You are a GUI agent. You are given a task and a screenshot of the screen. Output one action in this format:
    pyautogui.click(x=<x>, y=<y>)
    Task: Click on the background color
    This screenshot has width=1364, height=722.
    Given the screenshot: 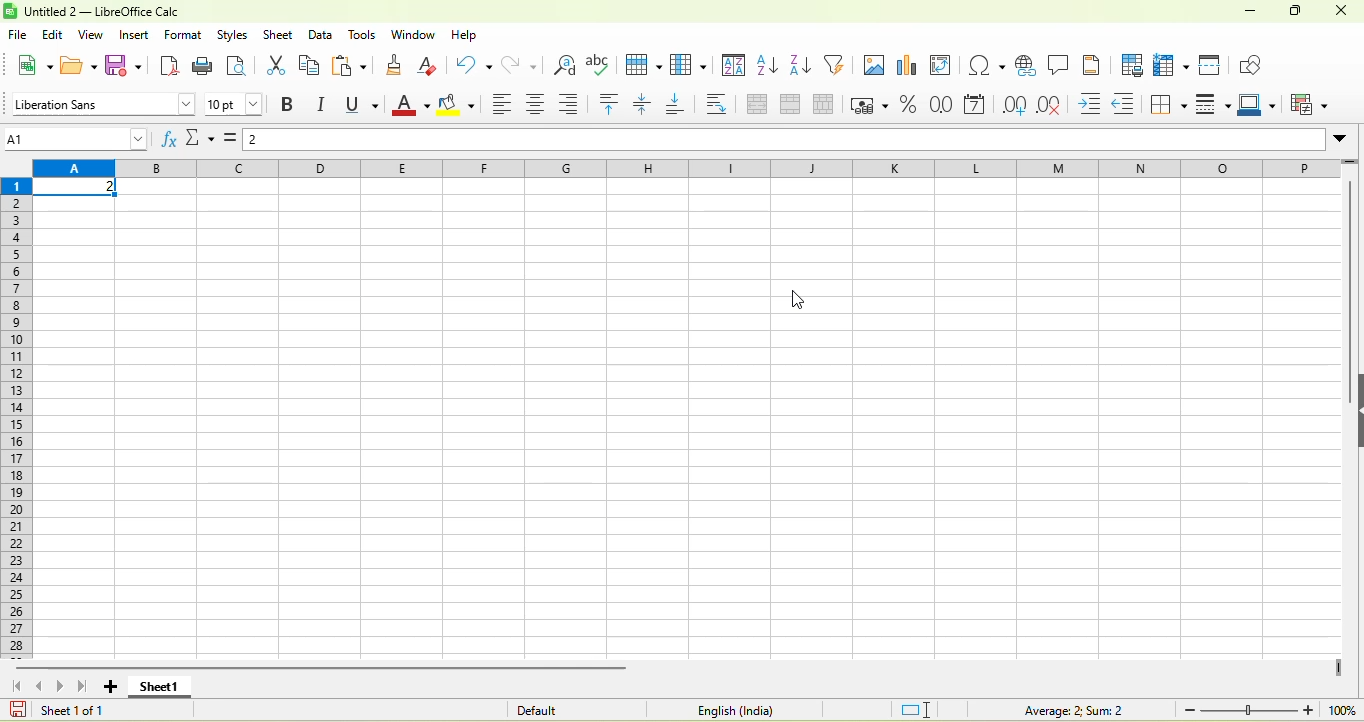 What is the action you would take?
    pyautogui.click(x=461, y=105)
    